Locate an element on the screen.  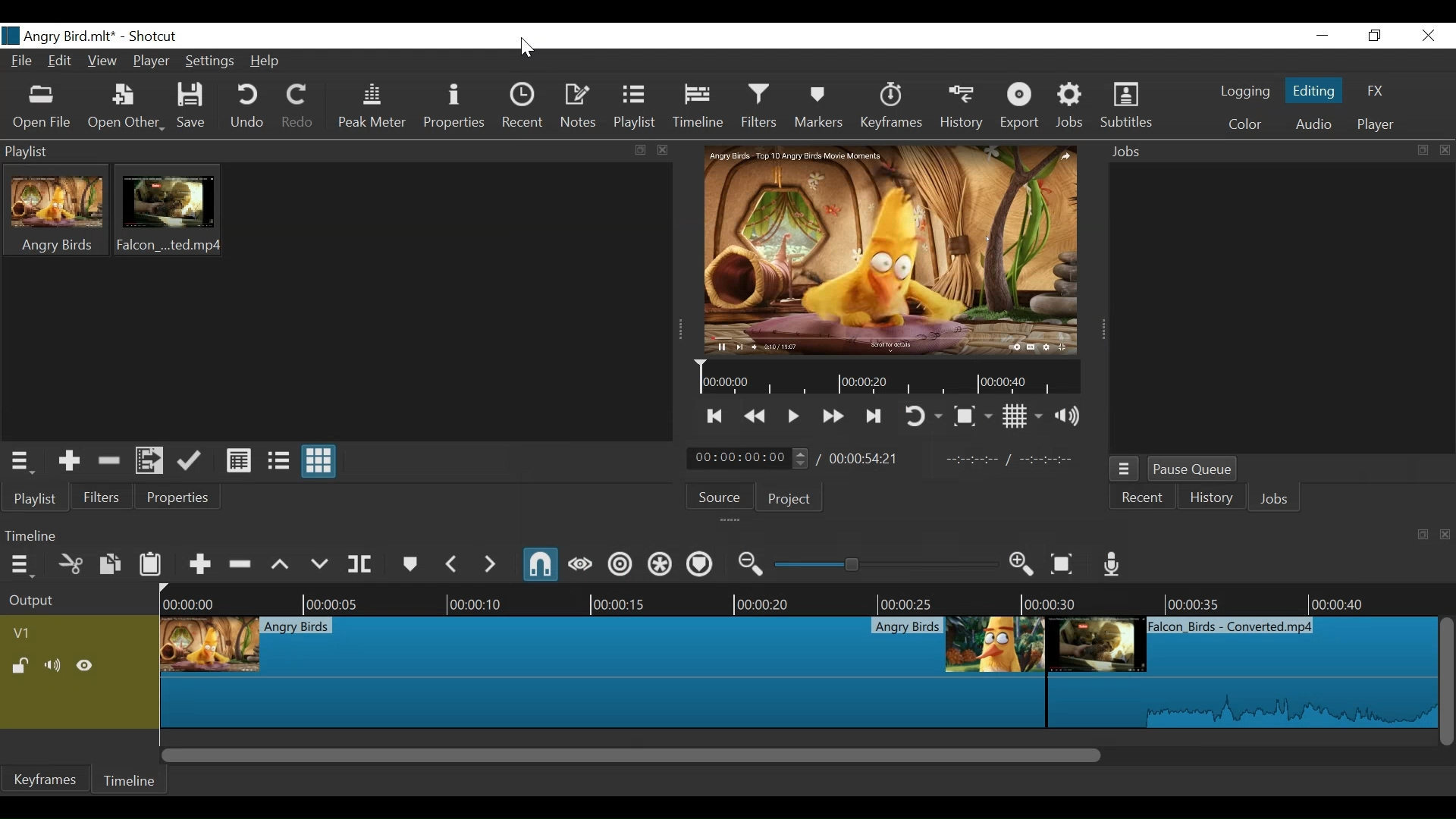
Filters is located at coordinates (759, 106).